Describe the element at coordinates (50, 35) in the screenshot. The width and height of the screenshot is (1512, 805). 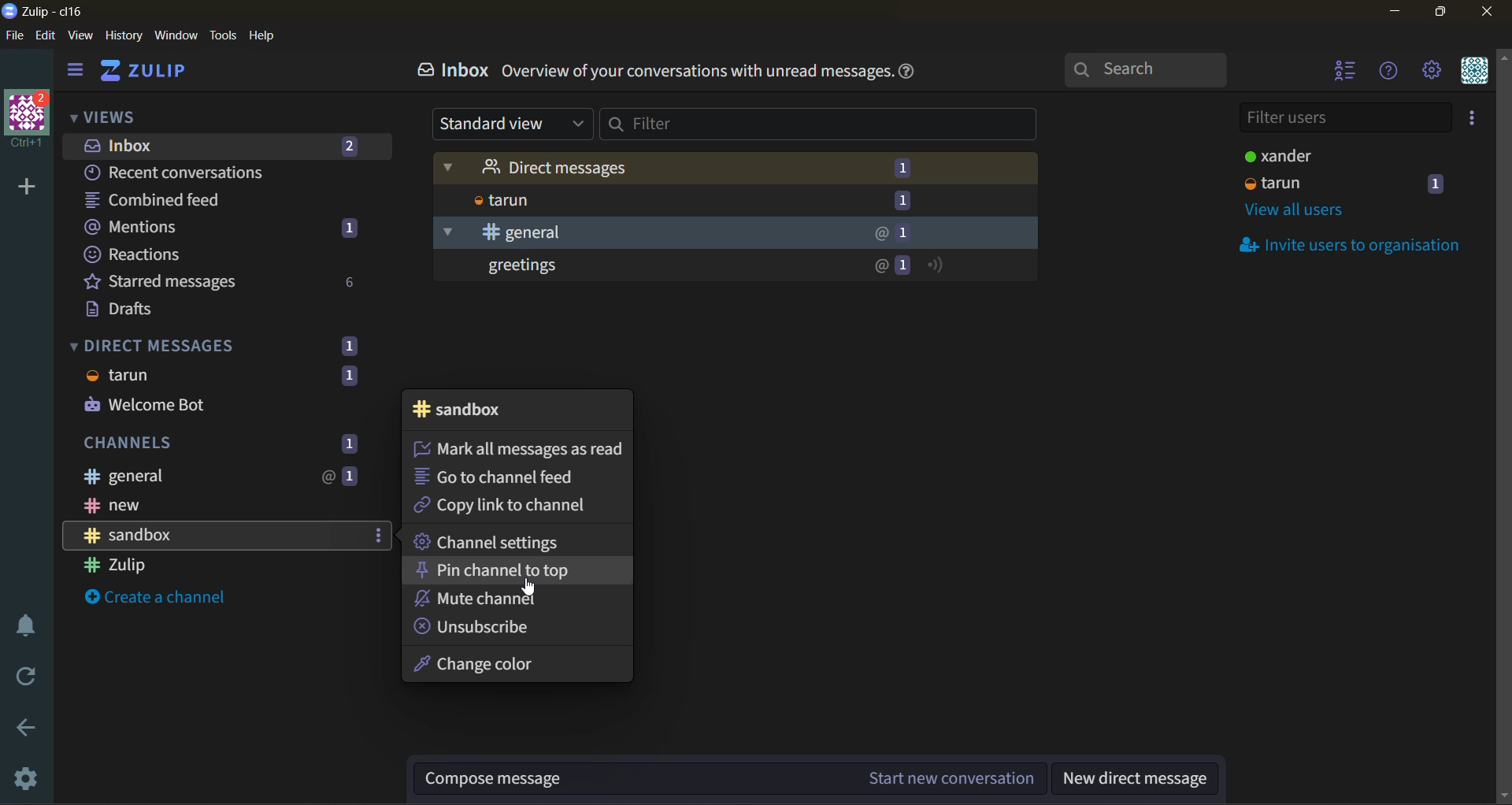
I see `edit` at that location.